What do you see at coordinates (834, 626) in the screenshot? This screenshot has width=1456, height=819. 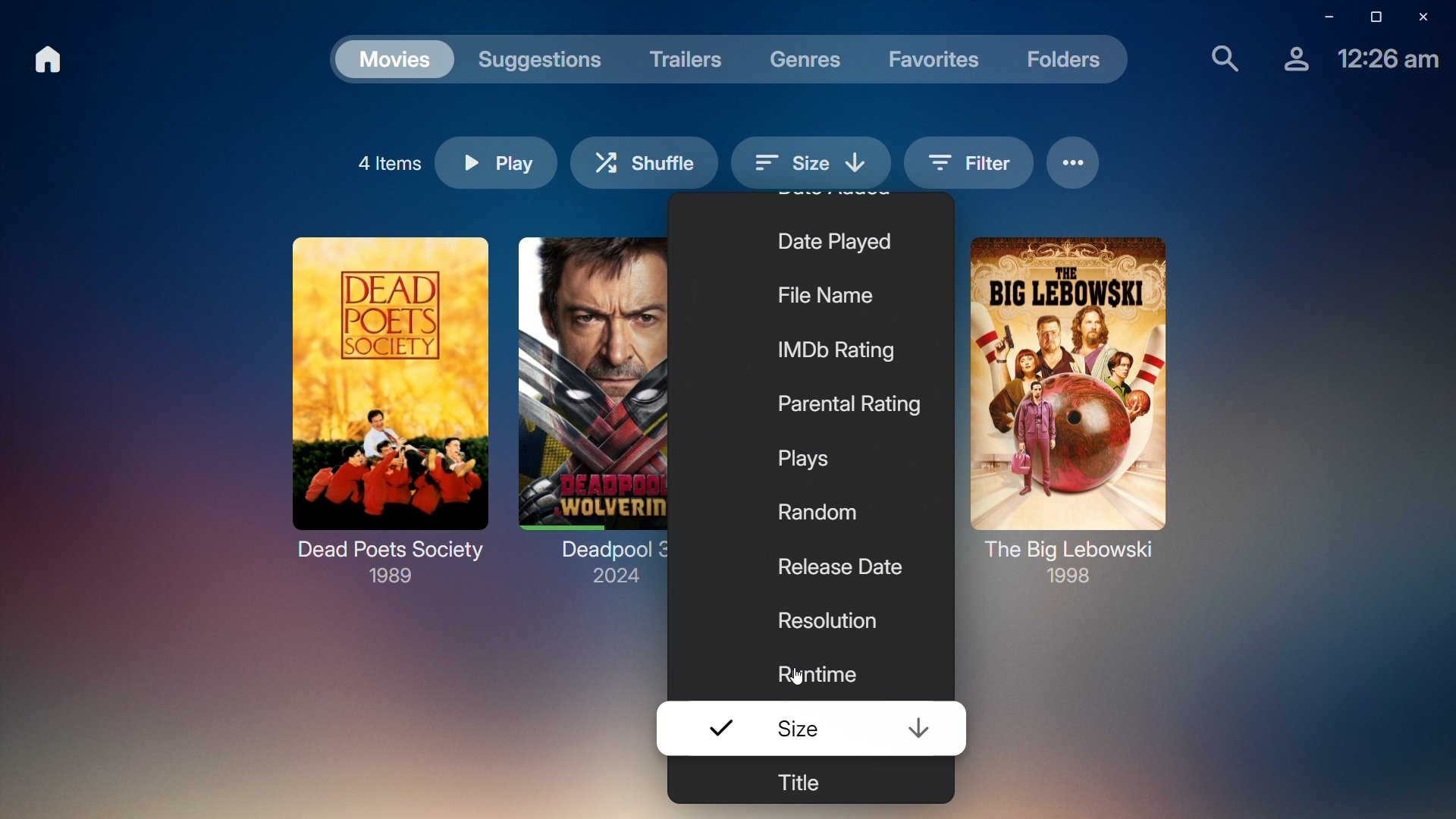 I see `Resolution` at bounding box center [834, 626].